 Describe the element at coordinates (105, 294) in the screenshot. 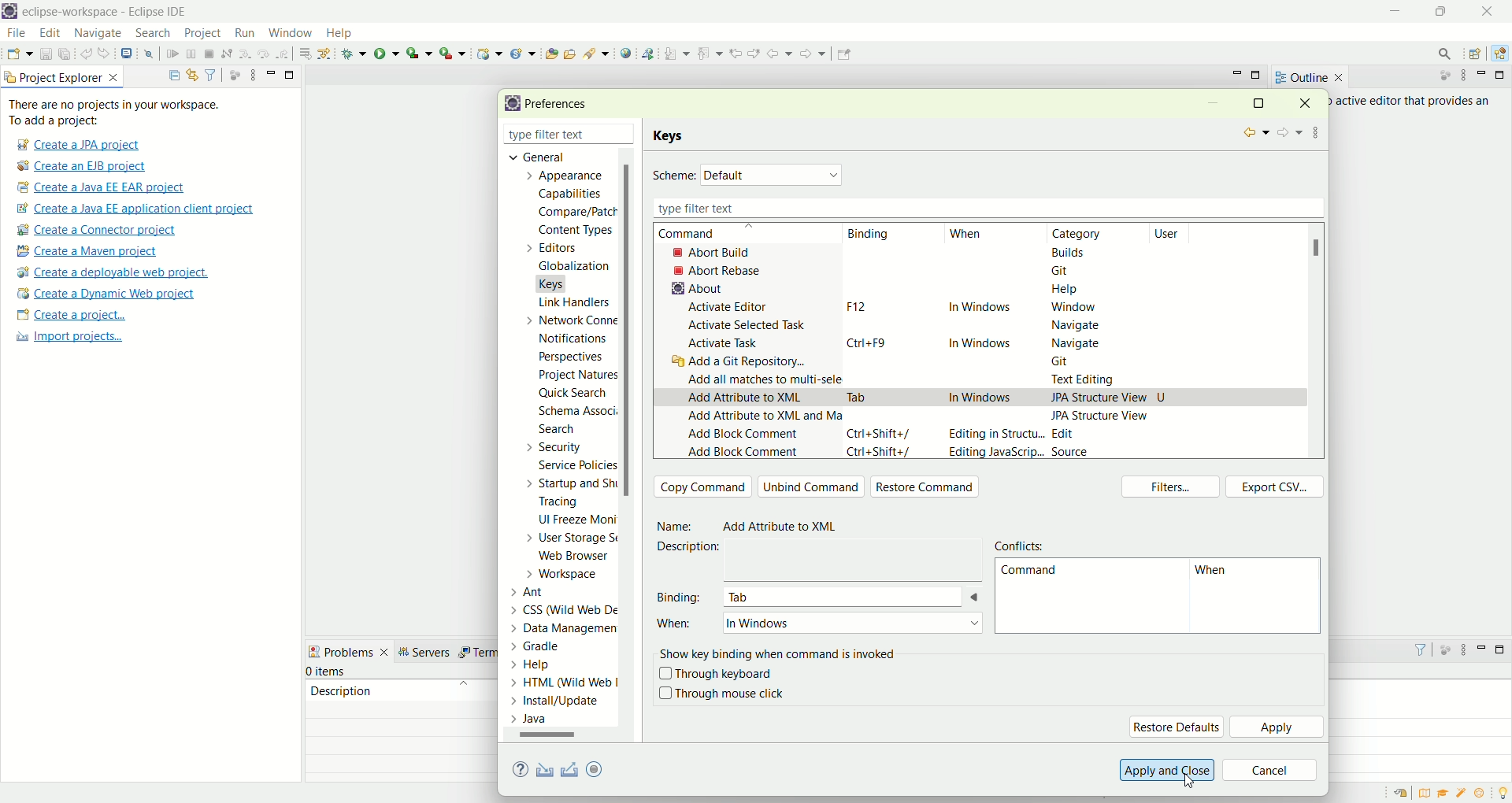

I see `create a dynamic web project` at that location.